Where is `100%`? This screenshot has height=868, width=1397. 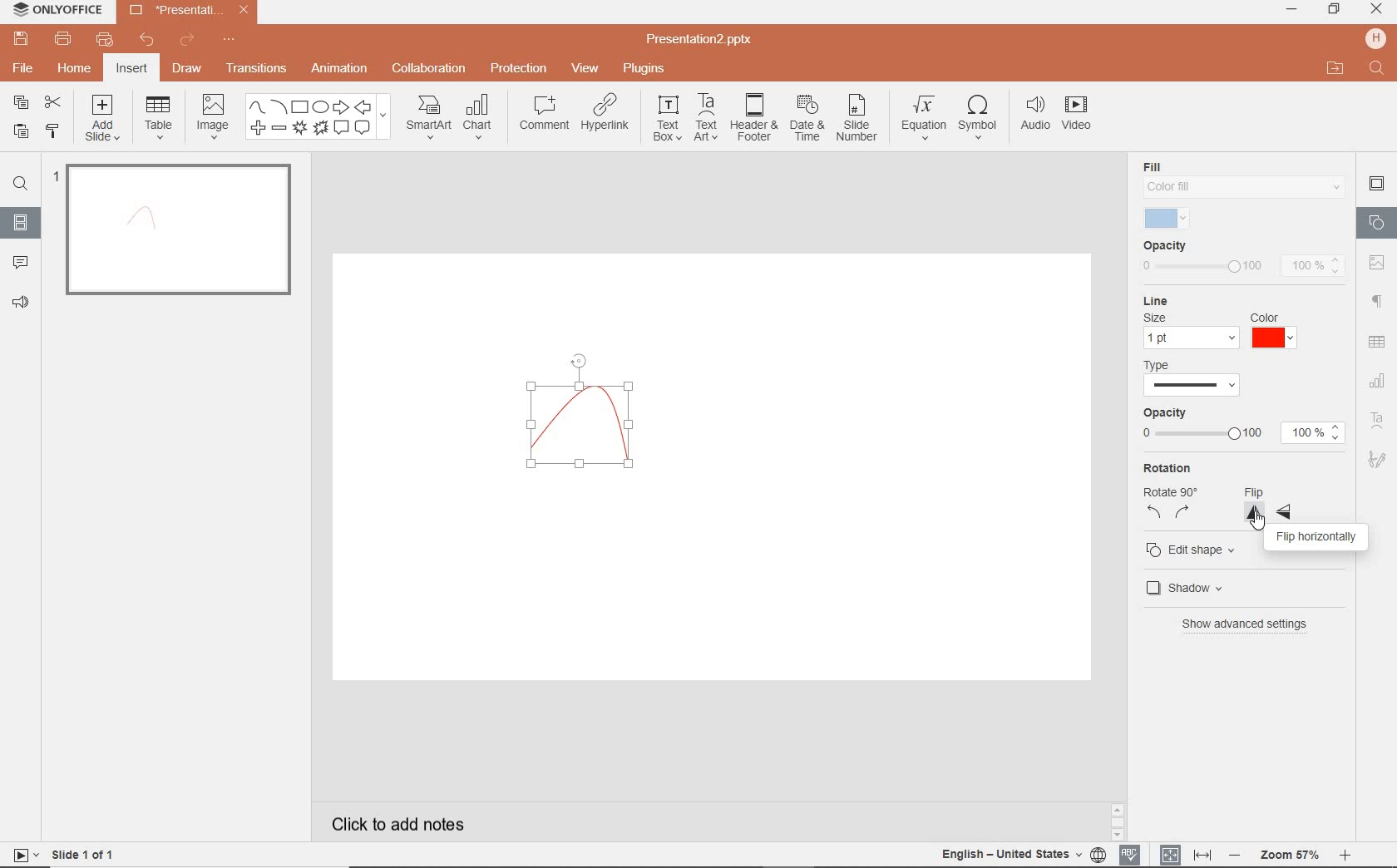
100% is located at coordinates (1311, 264).